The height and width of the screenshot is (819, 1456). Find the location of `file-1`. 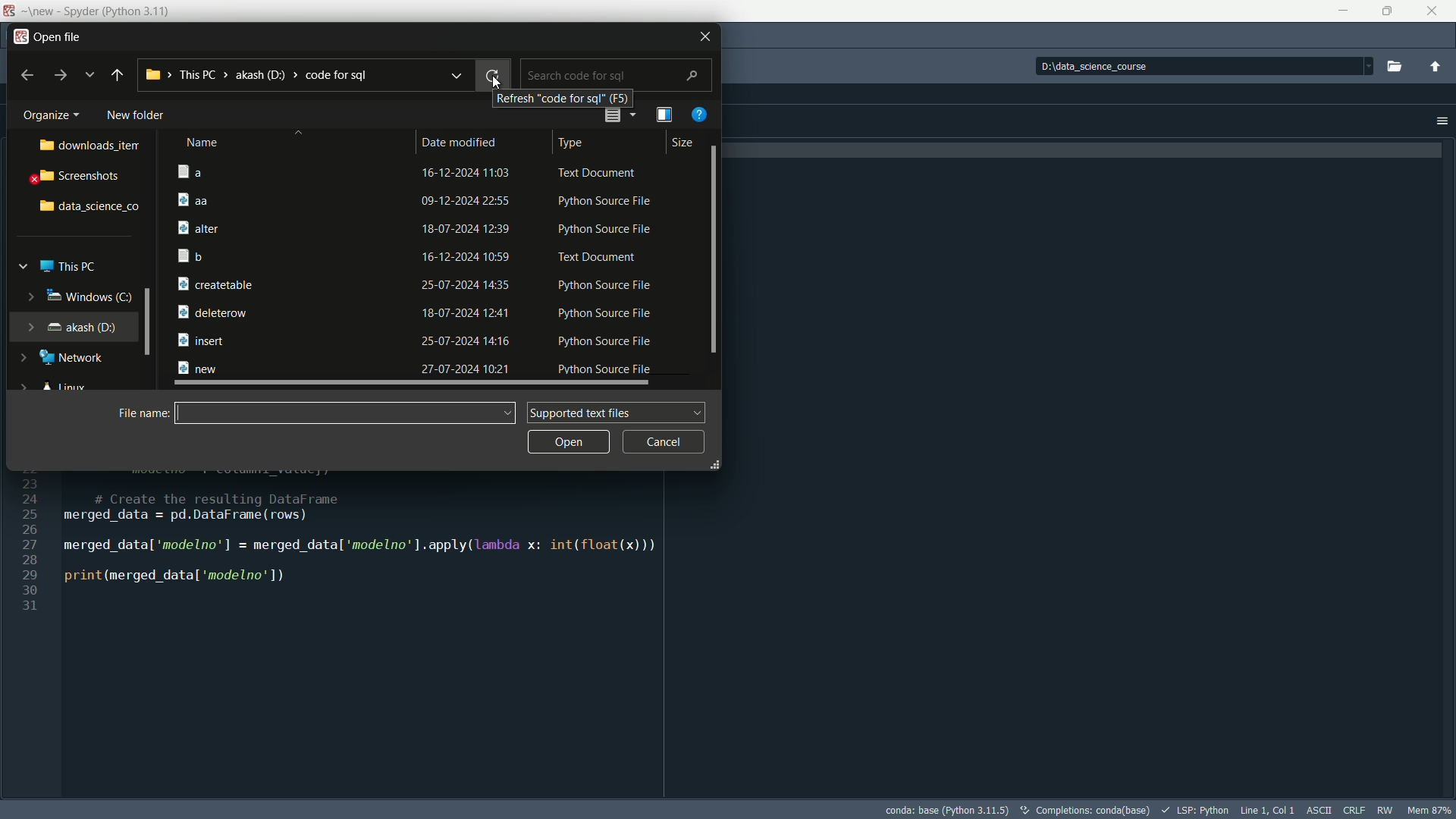

file-1 is located at coordinates (416, 171).